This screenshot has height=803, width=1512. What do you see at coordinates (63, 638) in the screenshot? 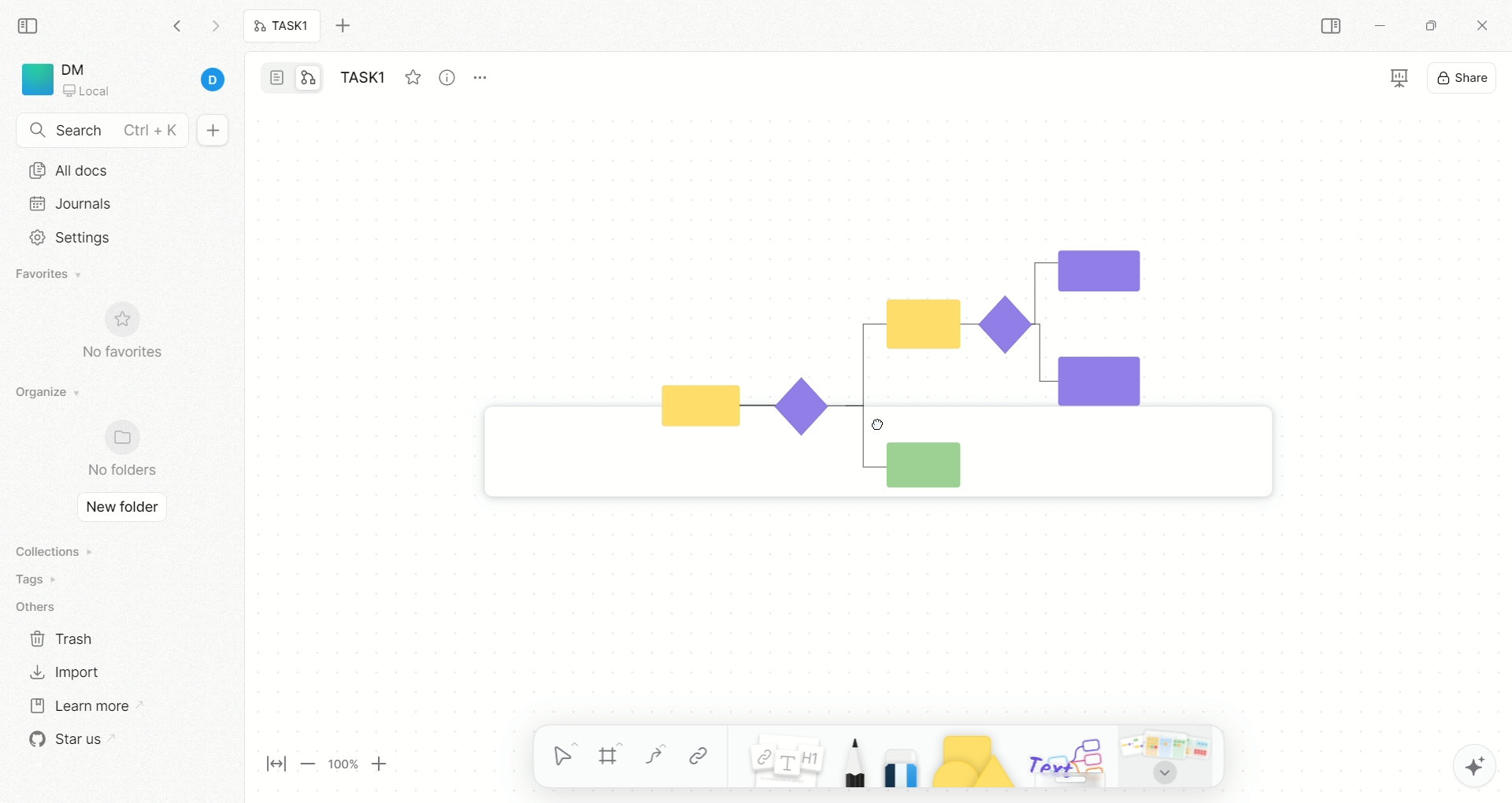
I see `trash` at bounding box center [63, 638].